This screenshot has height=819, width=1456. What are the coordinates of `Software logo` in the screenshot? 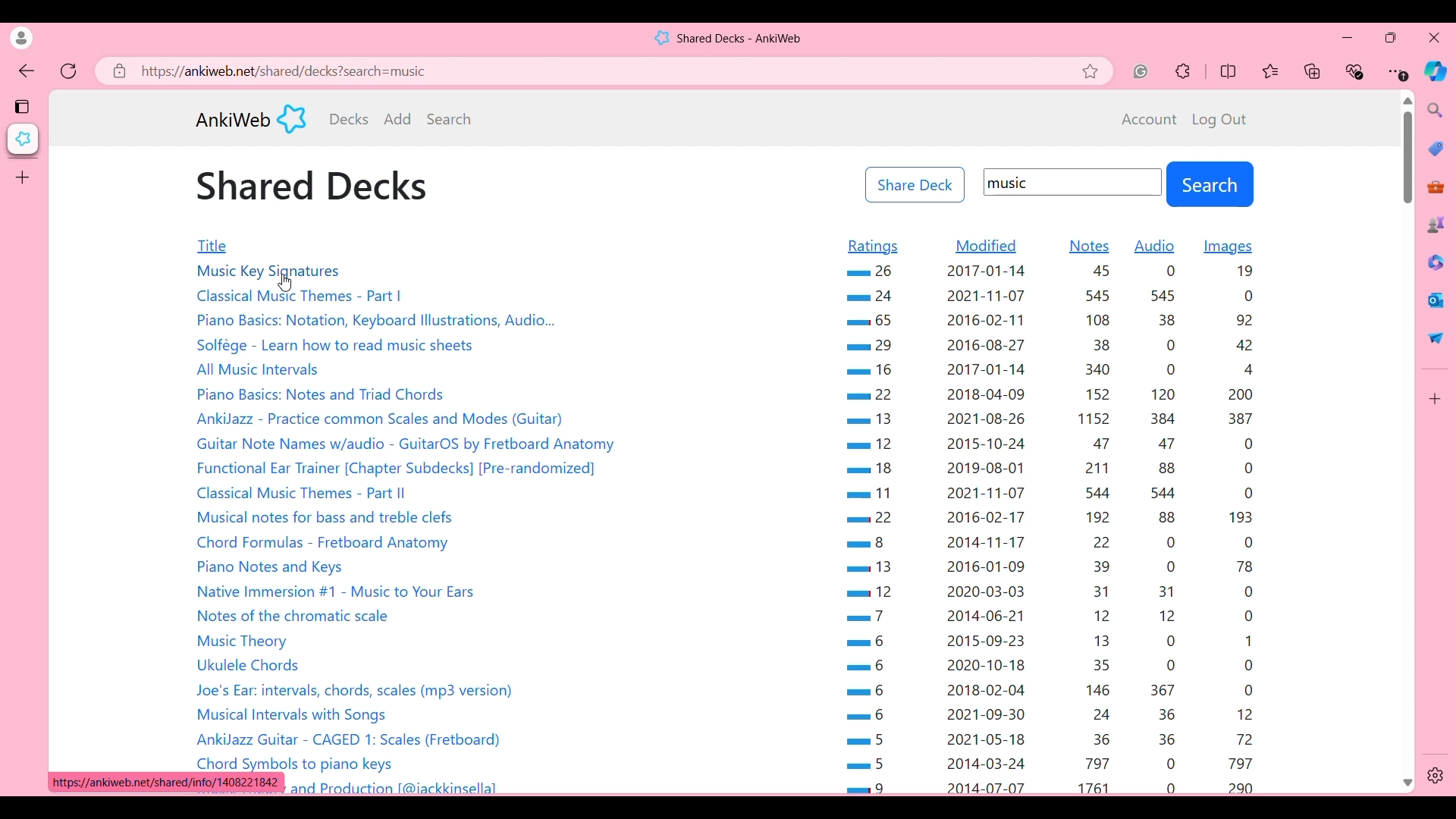 It's located at (661, 38).